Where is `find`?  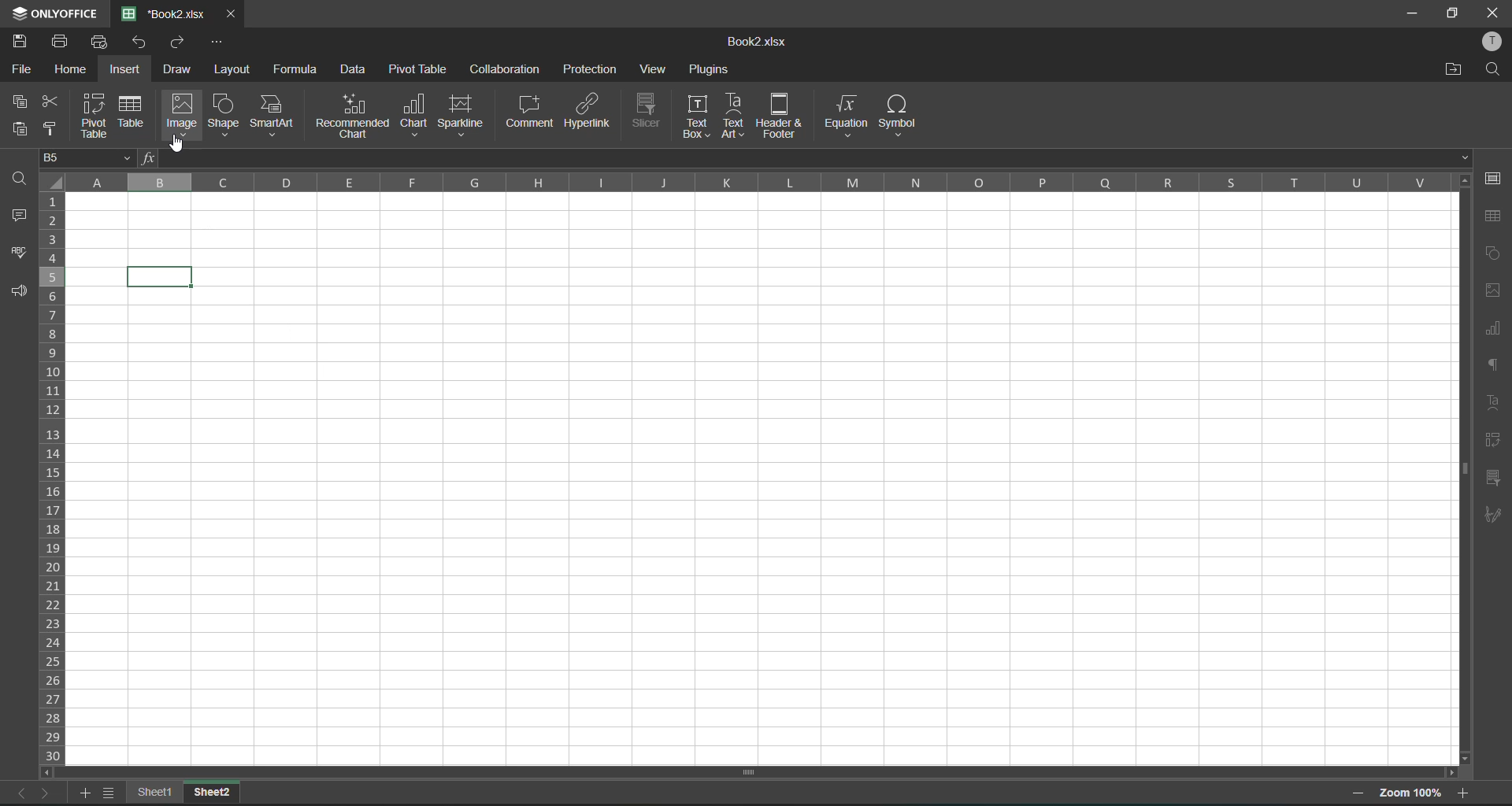
find is located at coordinates (22, 179).